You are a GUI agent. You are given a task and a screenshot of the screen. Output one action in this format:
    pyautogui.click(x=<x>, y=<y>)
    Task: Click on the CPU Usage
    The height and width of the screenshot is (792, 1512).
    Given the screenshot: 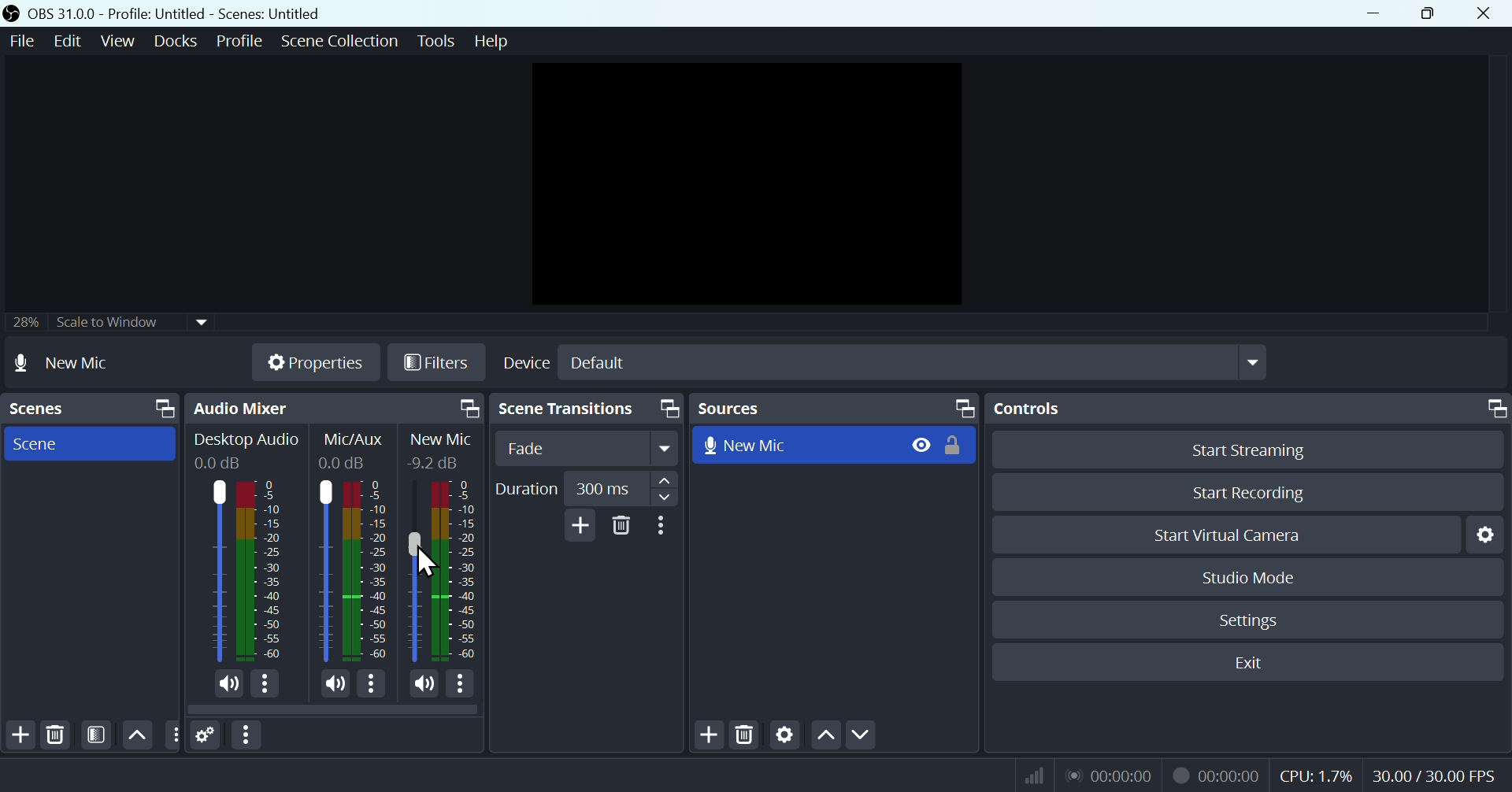 What is the action you would take?
    pyautogui.click(x=1317, y=776)
    